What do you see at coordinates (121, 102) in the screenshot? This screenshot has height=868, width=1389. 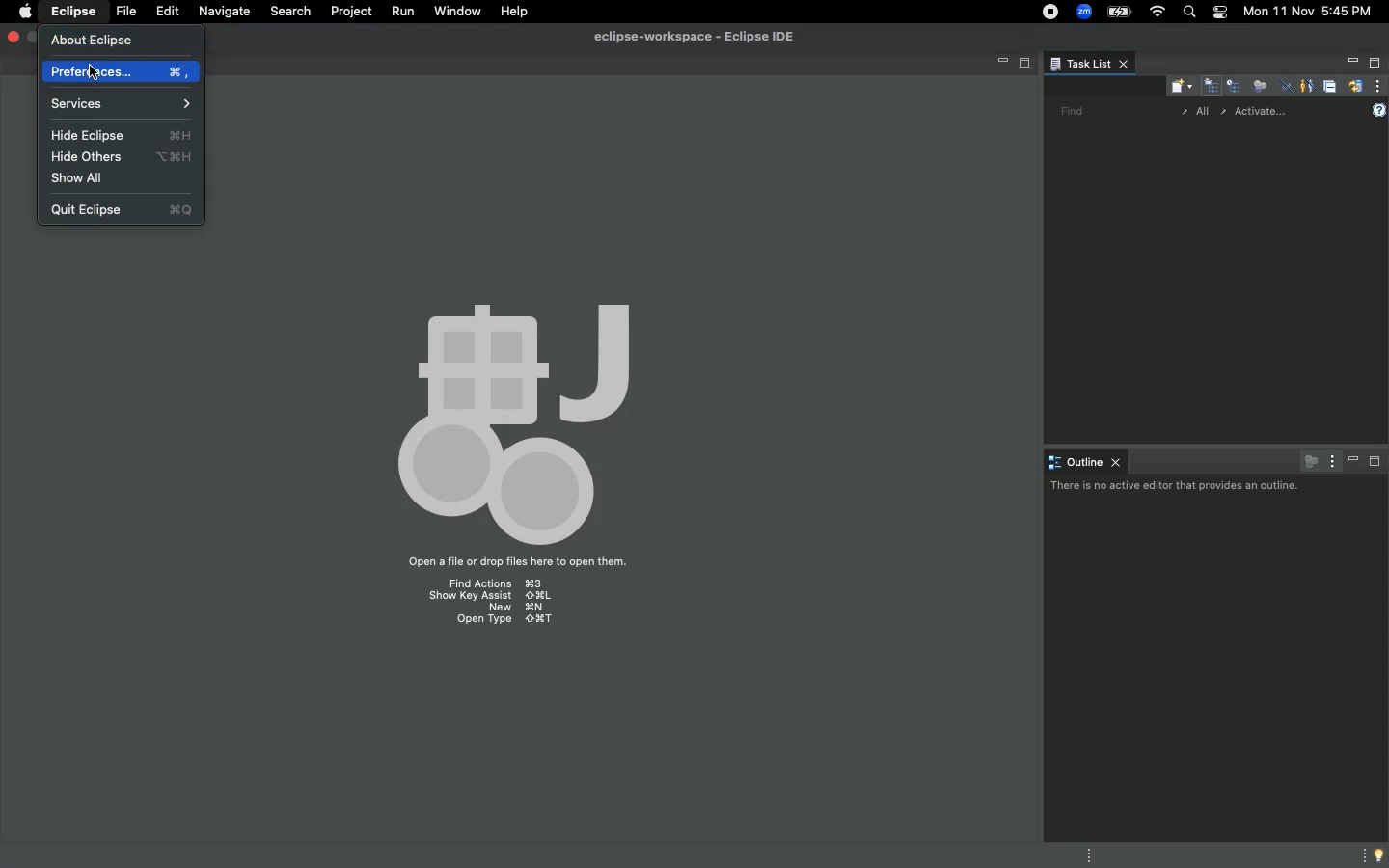 I see `Services` at bounding box center [121, 102].